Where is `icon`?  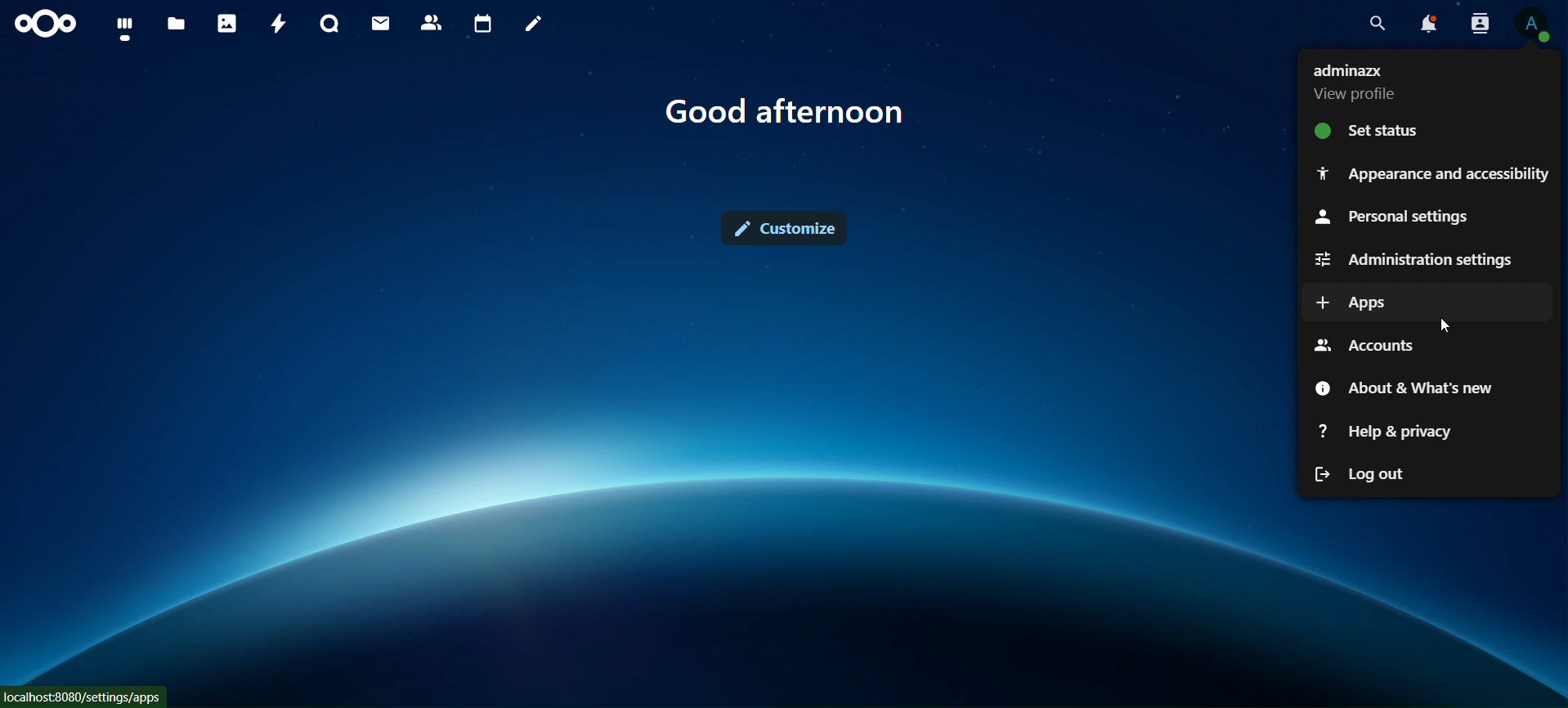
icon is located at coordinates (52, 24).